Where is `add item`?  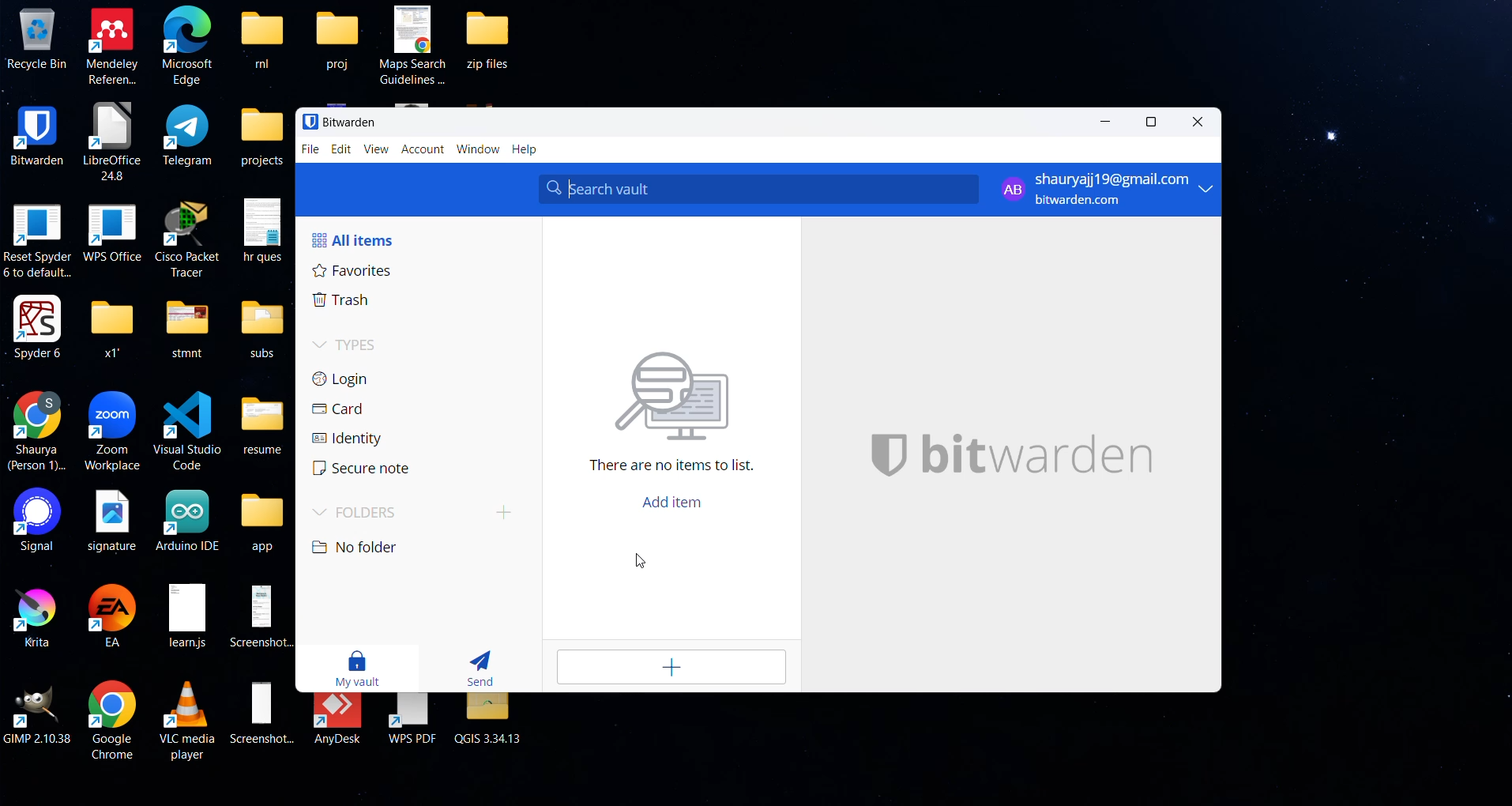 add item is located at coordinates (681, 502).